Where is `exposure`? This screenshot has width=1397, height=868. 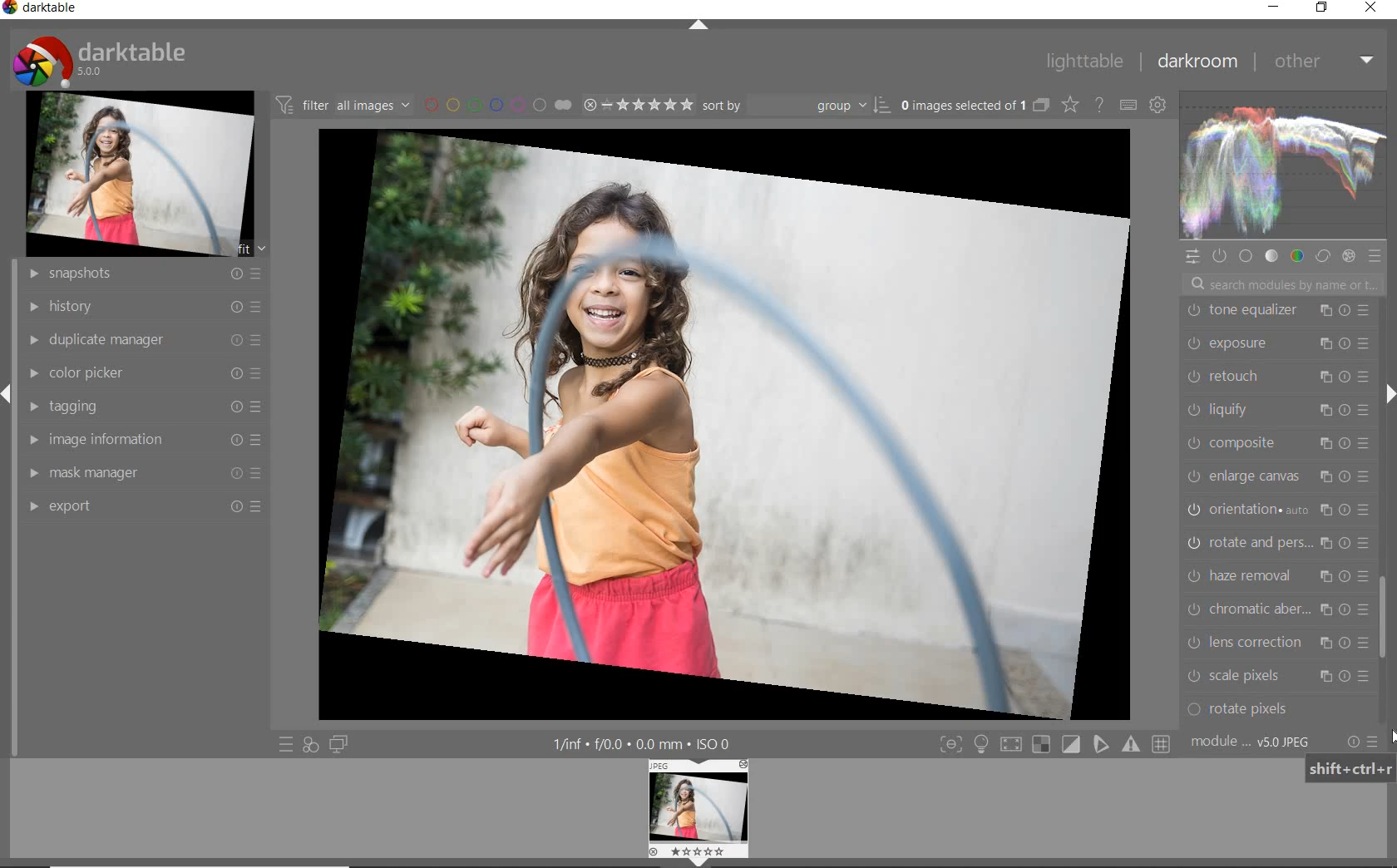 exposure is located at coordinates (1278, 343).